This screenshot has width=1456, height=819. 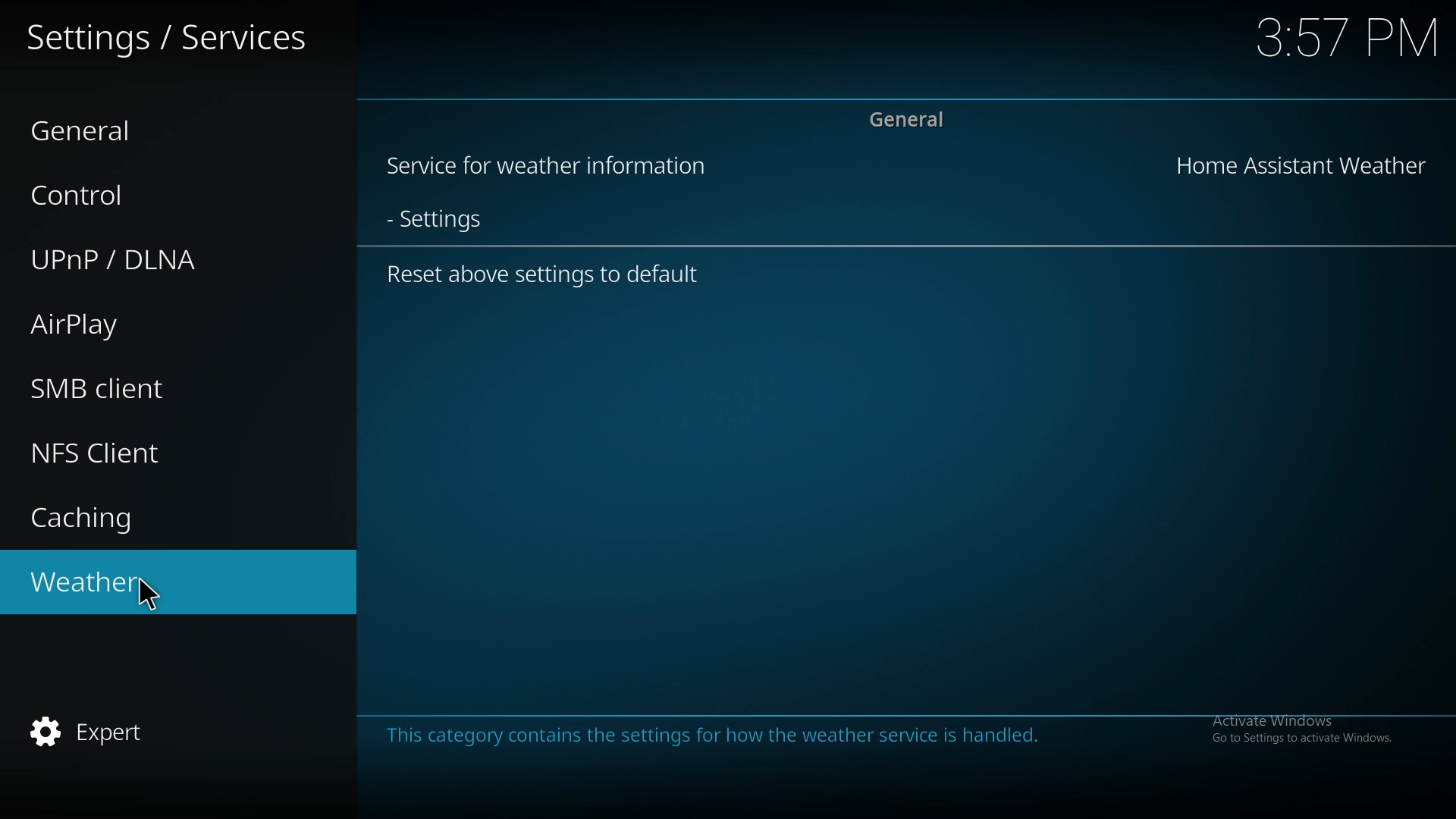 I want to click on control, so click(x=143, y=193).